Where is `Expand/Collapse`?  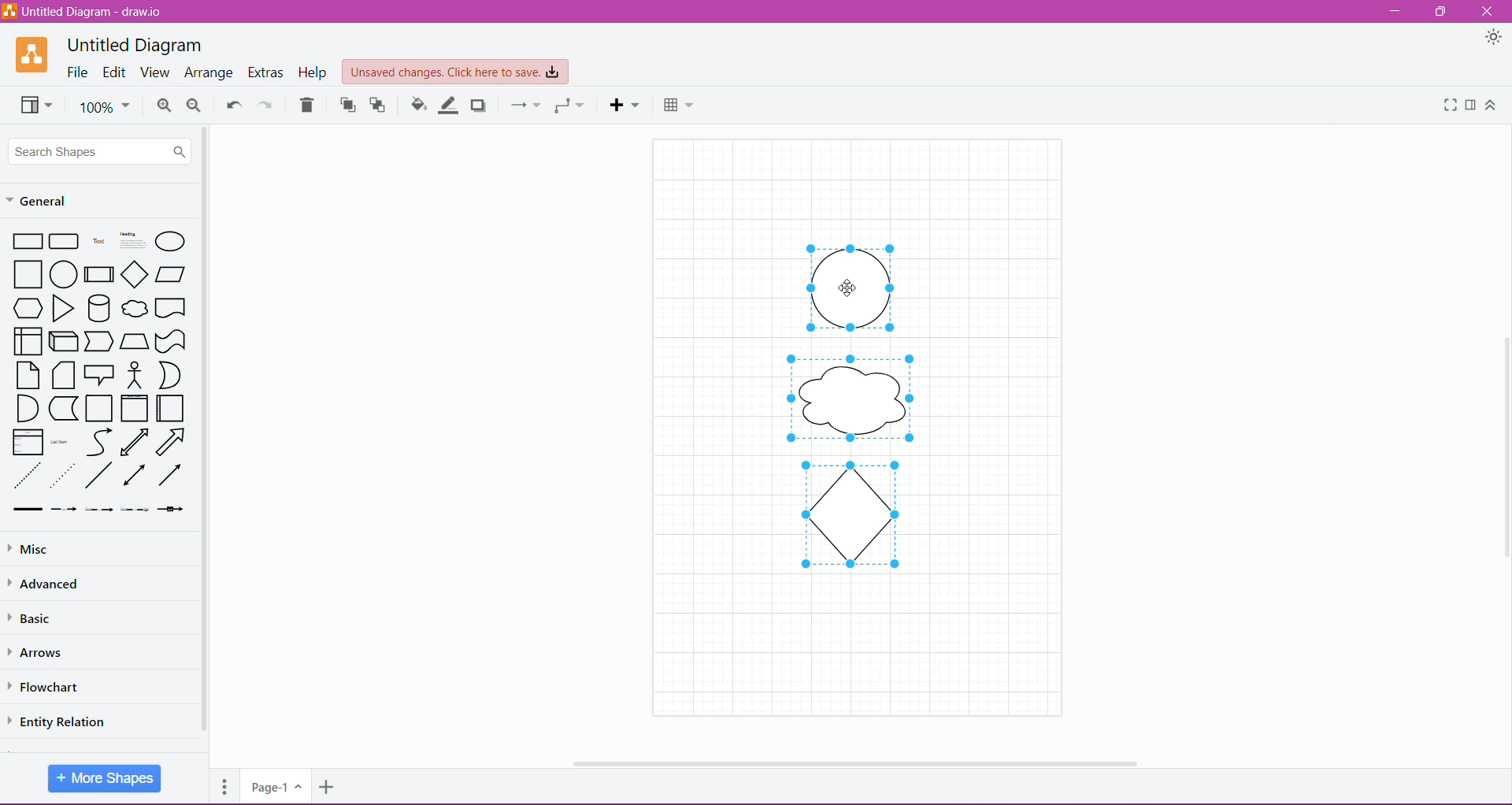
Expand/Collapse is located at coordinates (1491, 106).